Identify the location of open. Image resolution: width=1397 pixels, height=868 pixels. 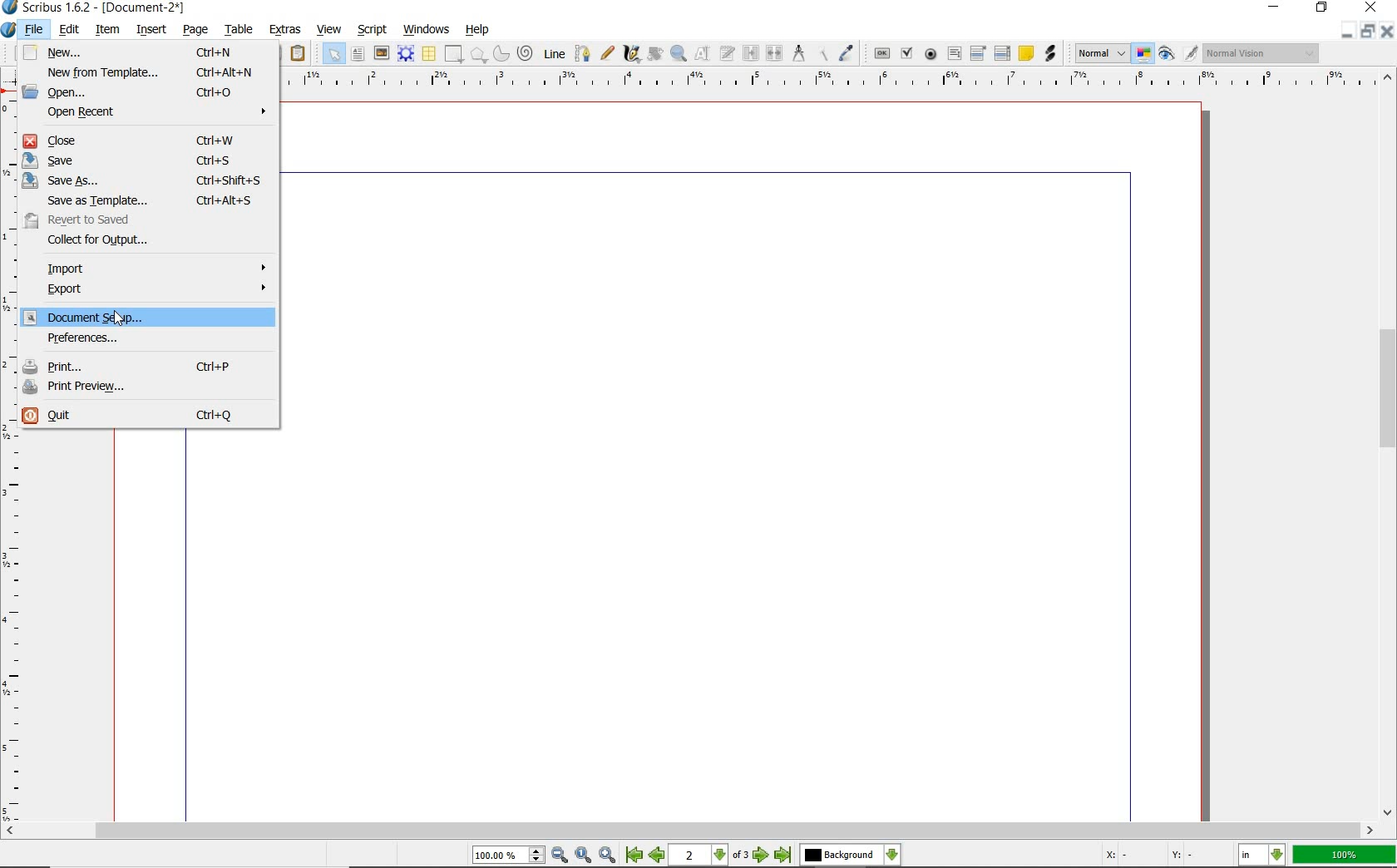
(147, 91).